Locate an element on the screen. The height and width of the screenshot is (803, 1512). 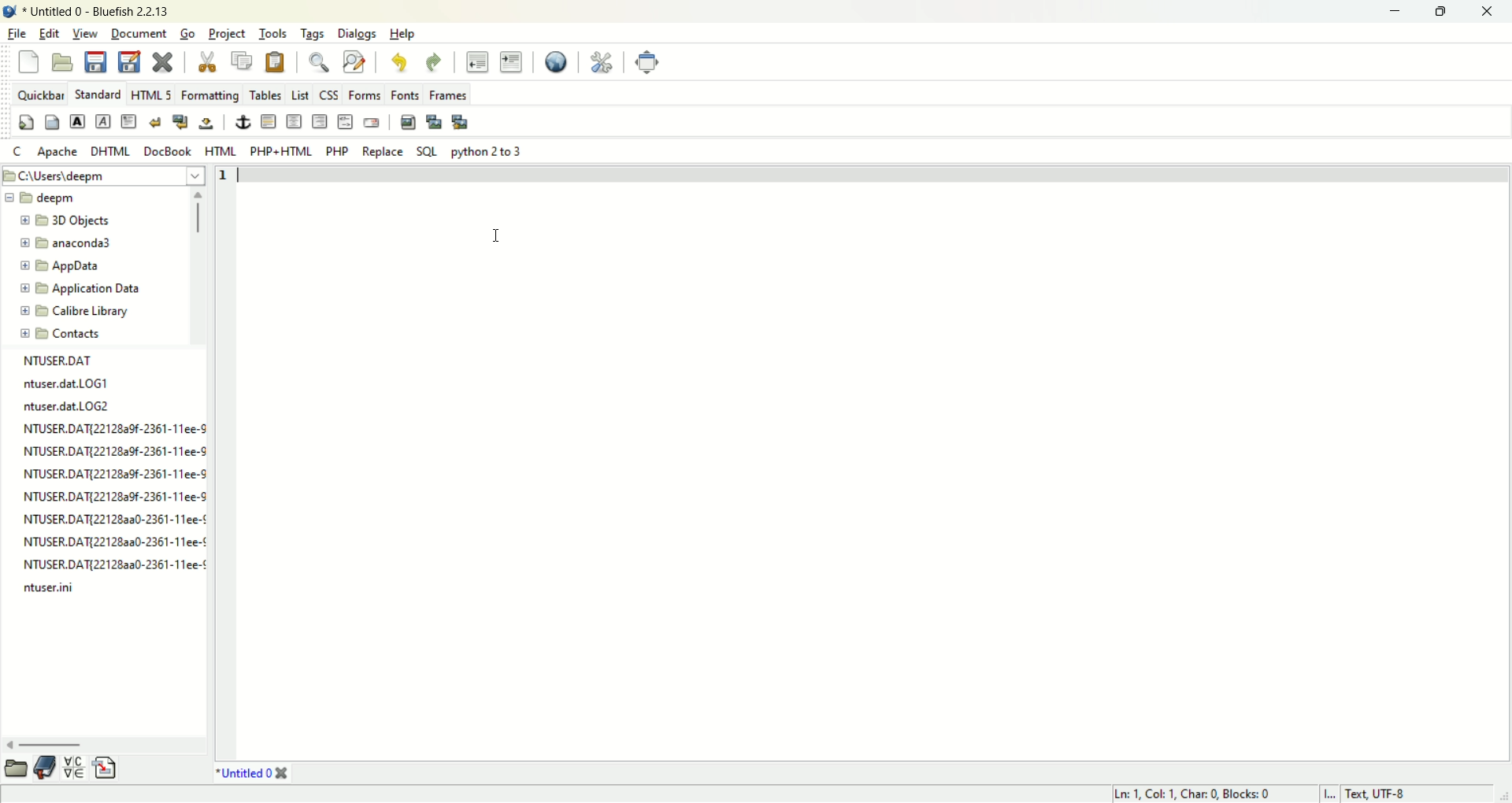
dialogs is located at coordinates (358, 35).